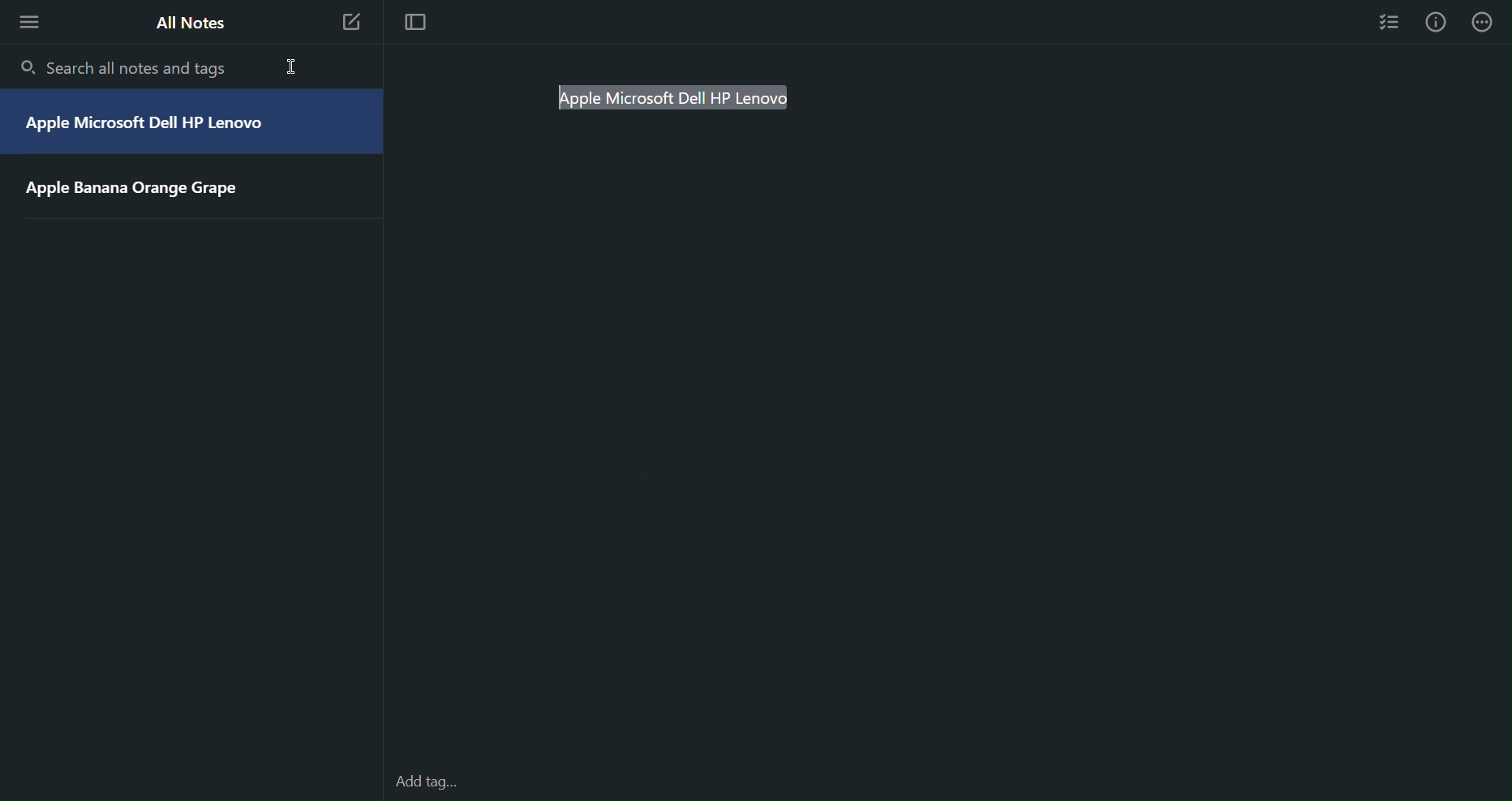  What do you see at coordinates (144, 122) in the screenshot?
I see `Apple Microsoft Dell HP Lenovo` at bounding box center [144, 122].